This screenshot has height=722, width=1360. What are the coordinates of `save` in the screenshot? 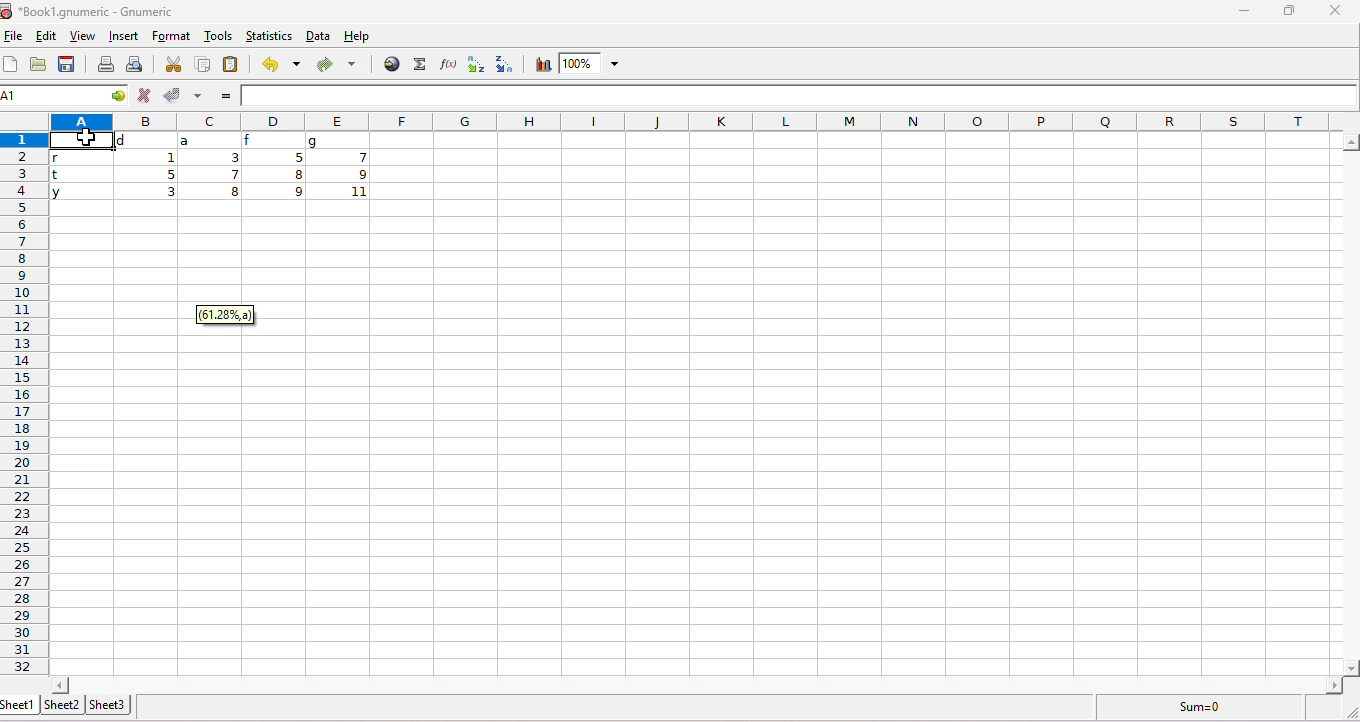 It's located at (69, 65).